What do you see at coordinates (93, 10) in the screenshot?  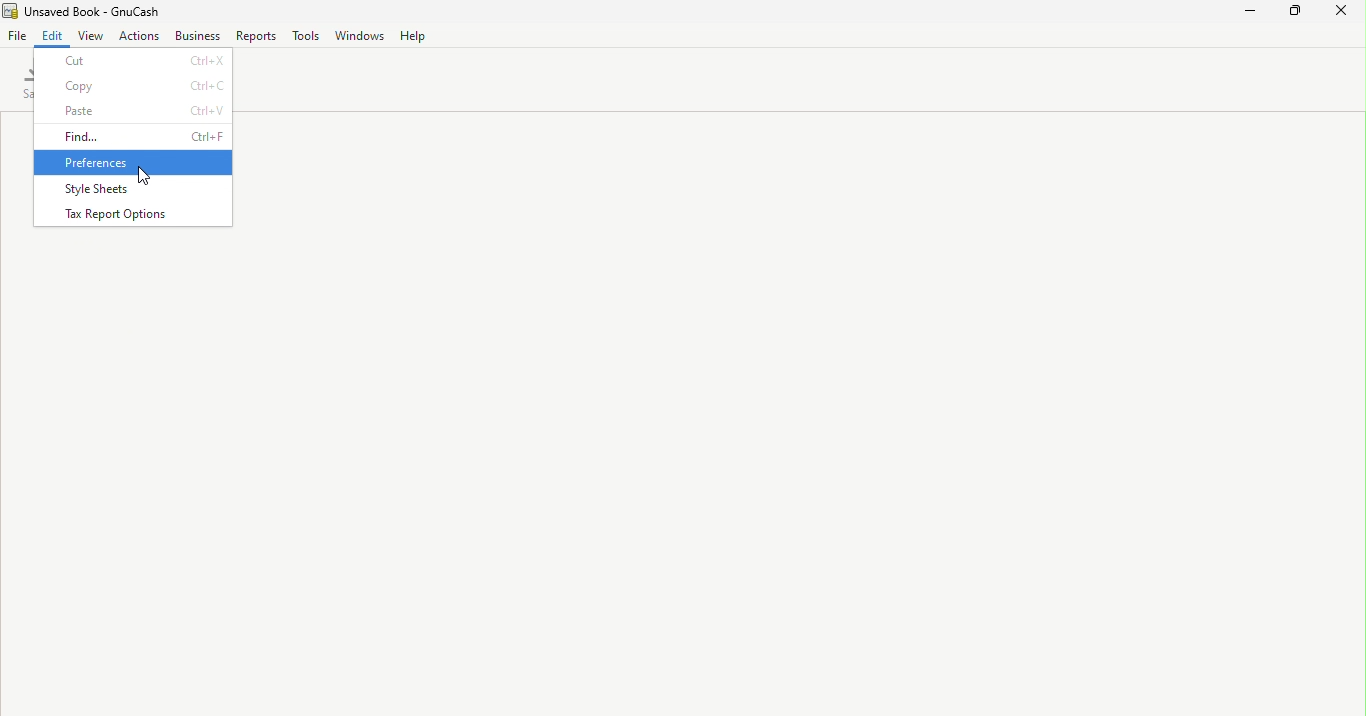 I see `File name` at bounding box center [93, 10].